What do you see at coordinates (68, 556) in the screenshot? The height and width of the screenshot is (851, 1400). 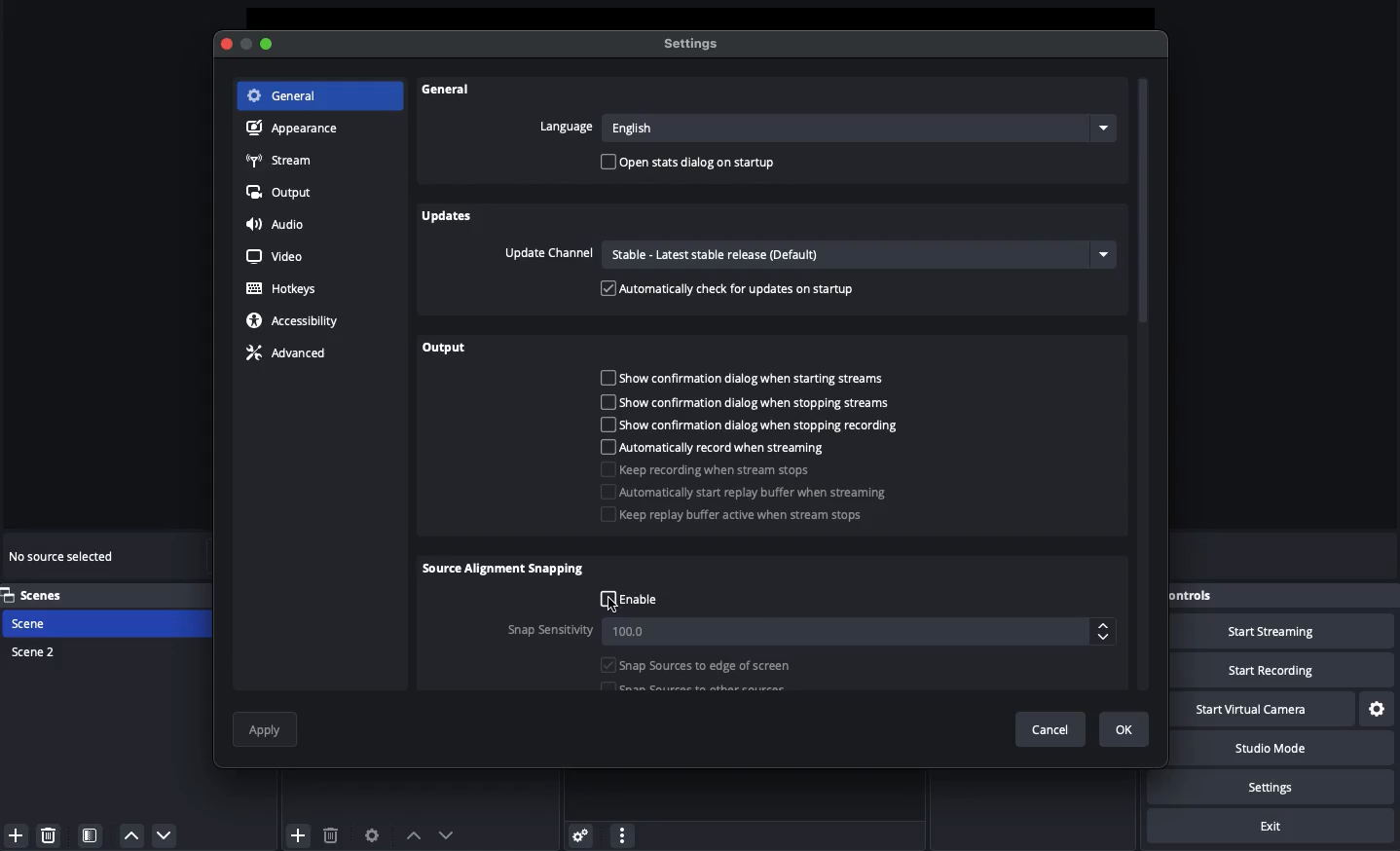 I see `No sources selected` at bounding box center [68, 556].